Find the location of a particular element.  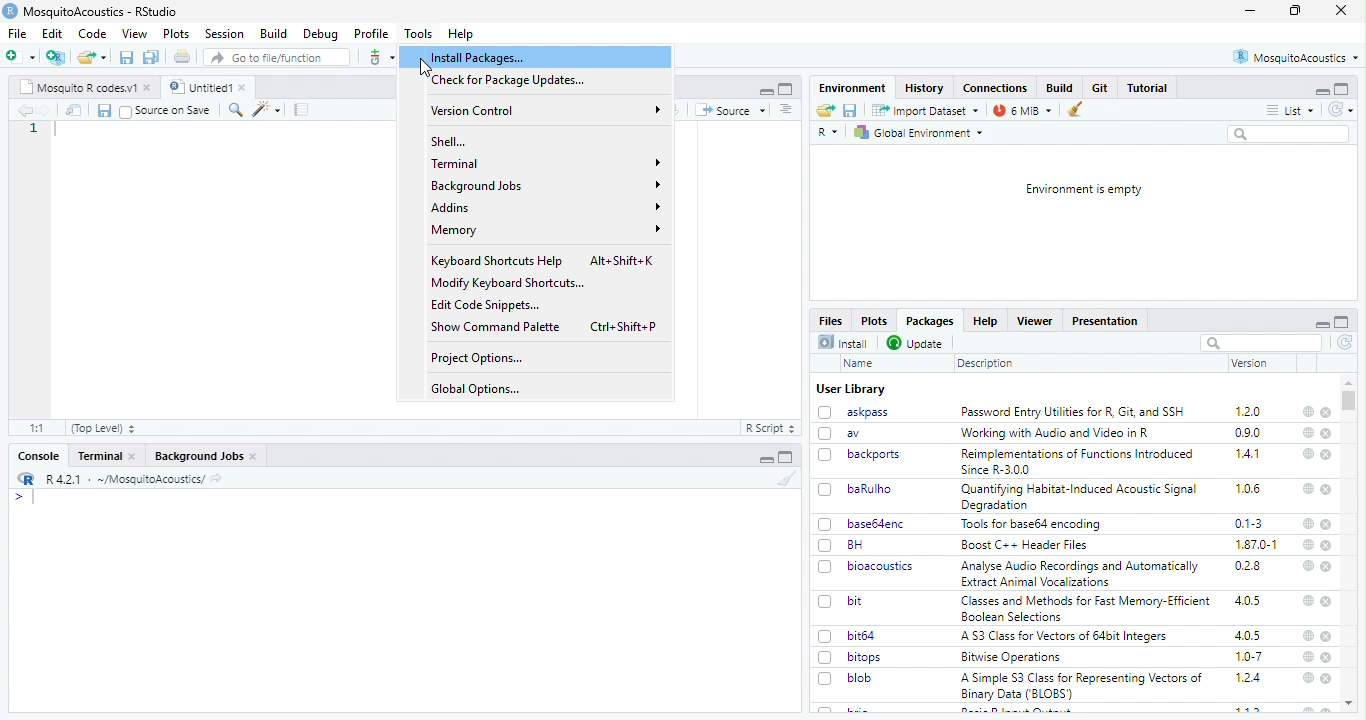

Bitwise Operations is located at coordinates (1013, 658).